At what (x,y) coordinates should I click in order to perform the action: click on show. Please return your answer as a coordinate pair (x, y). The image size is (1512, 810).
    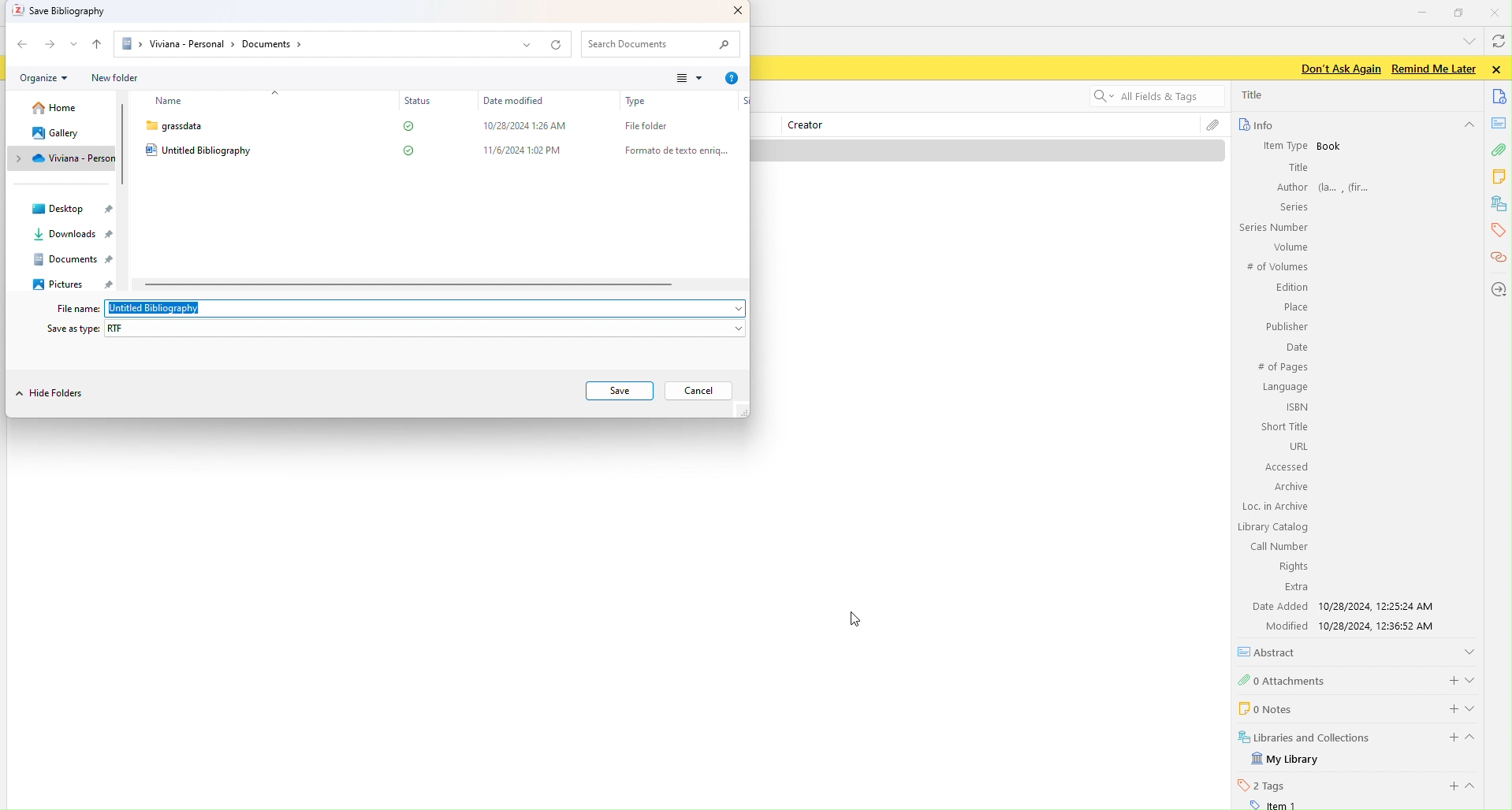
    Looking at the image, I should click on (1476, 708).